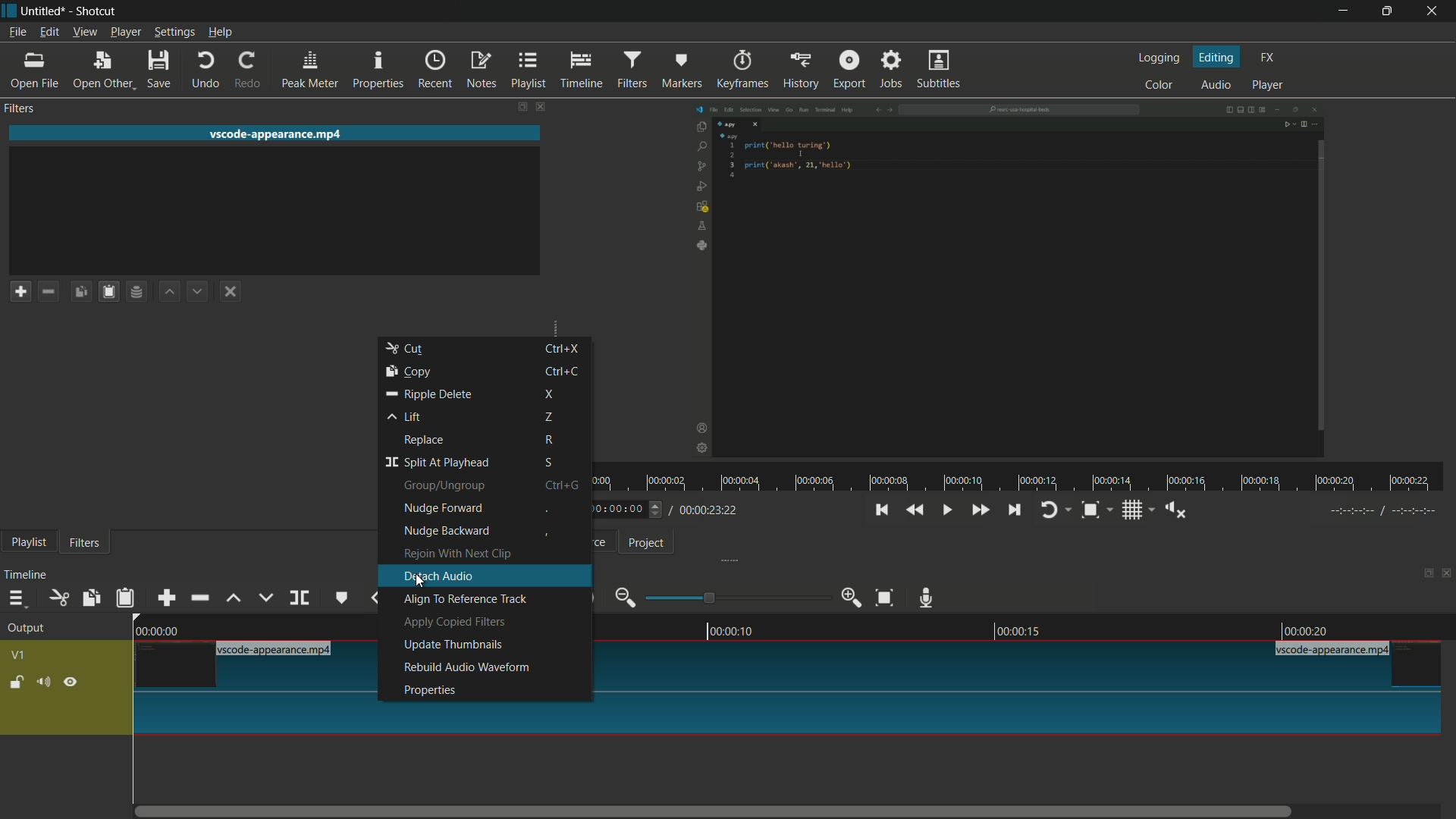 The height and width of the screenshot is (819, 1456). Describe the element at coordinates (1007, 281) in the screenshot. I see `imported file` at that location.